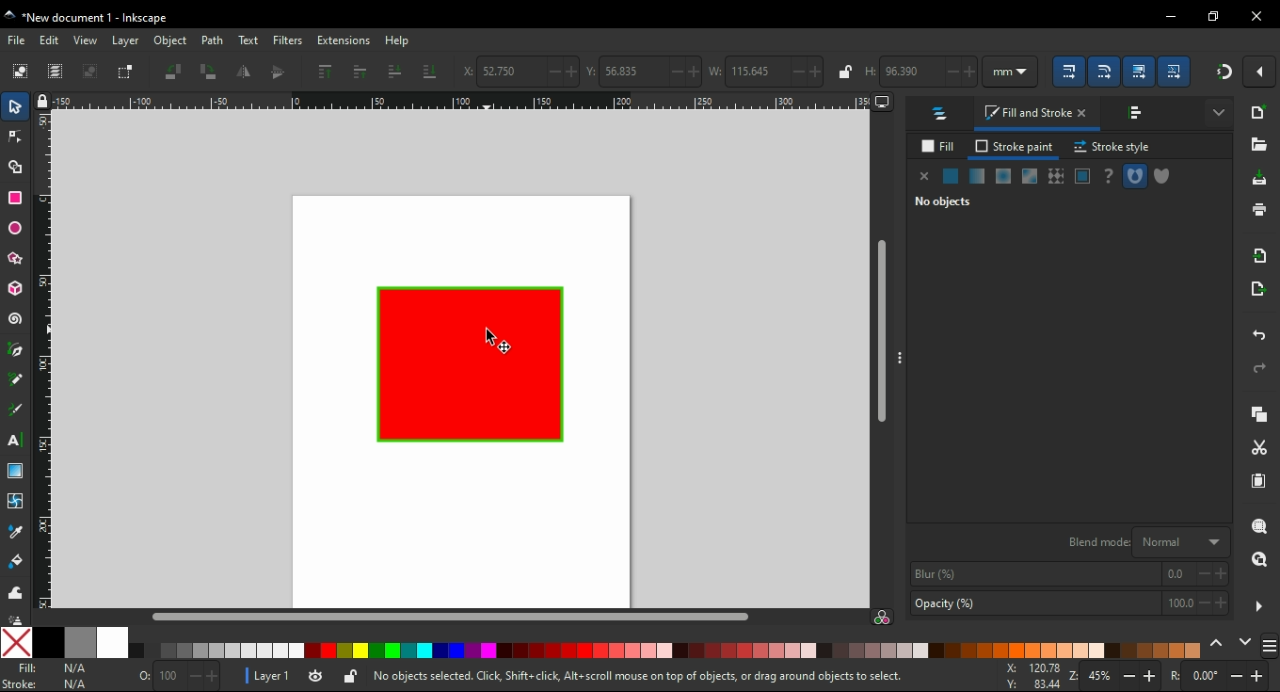  I want to click on copy, so click(1256, 413).